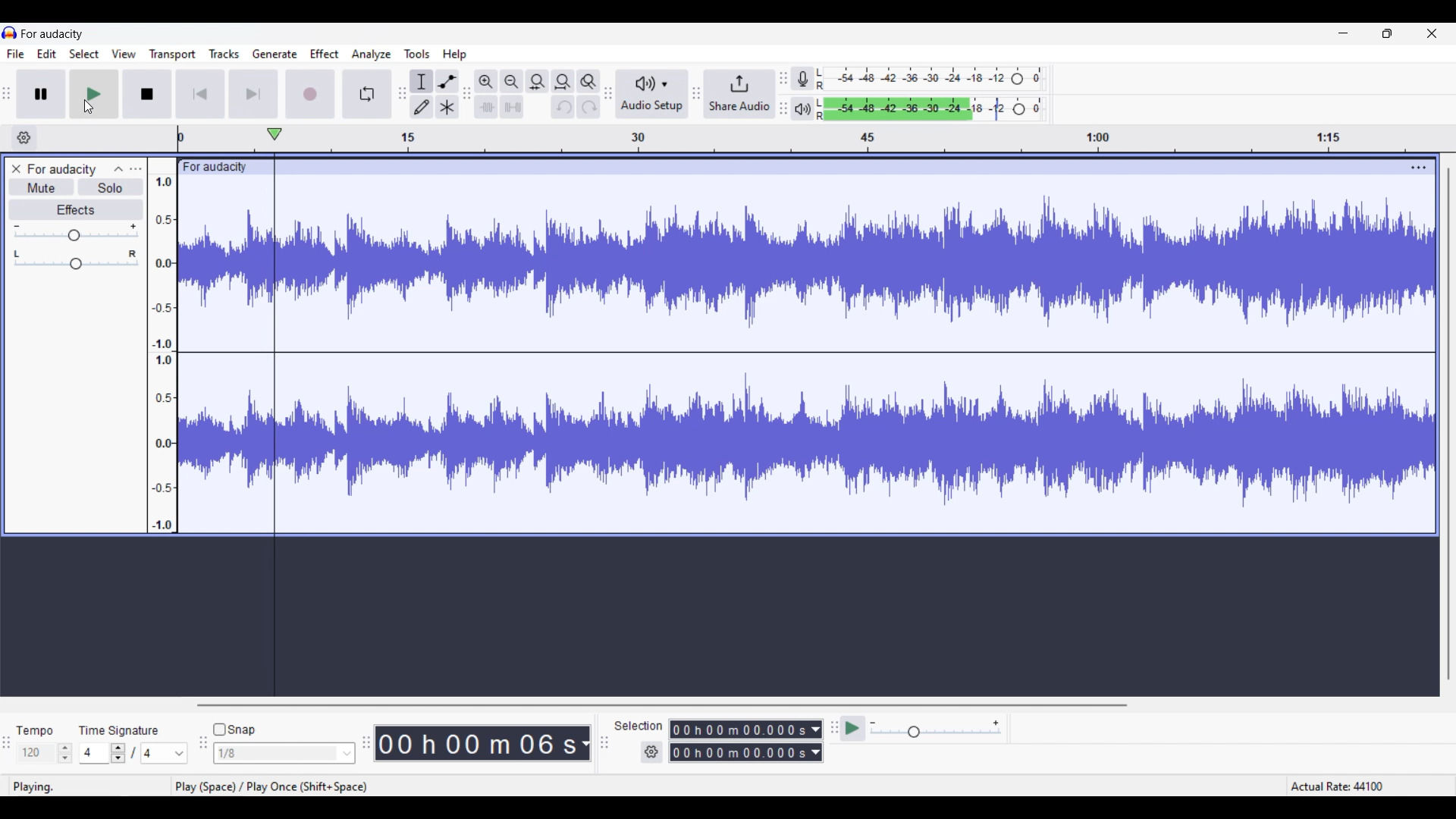 Image resolution: width=1456 pixels, height=819 pixels. What do you see at coordinates (52, 33) in the screenshot?
I see `For audacity` at bounding box center [52, 33].